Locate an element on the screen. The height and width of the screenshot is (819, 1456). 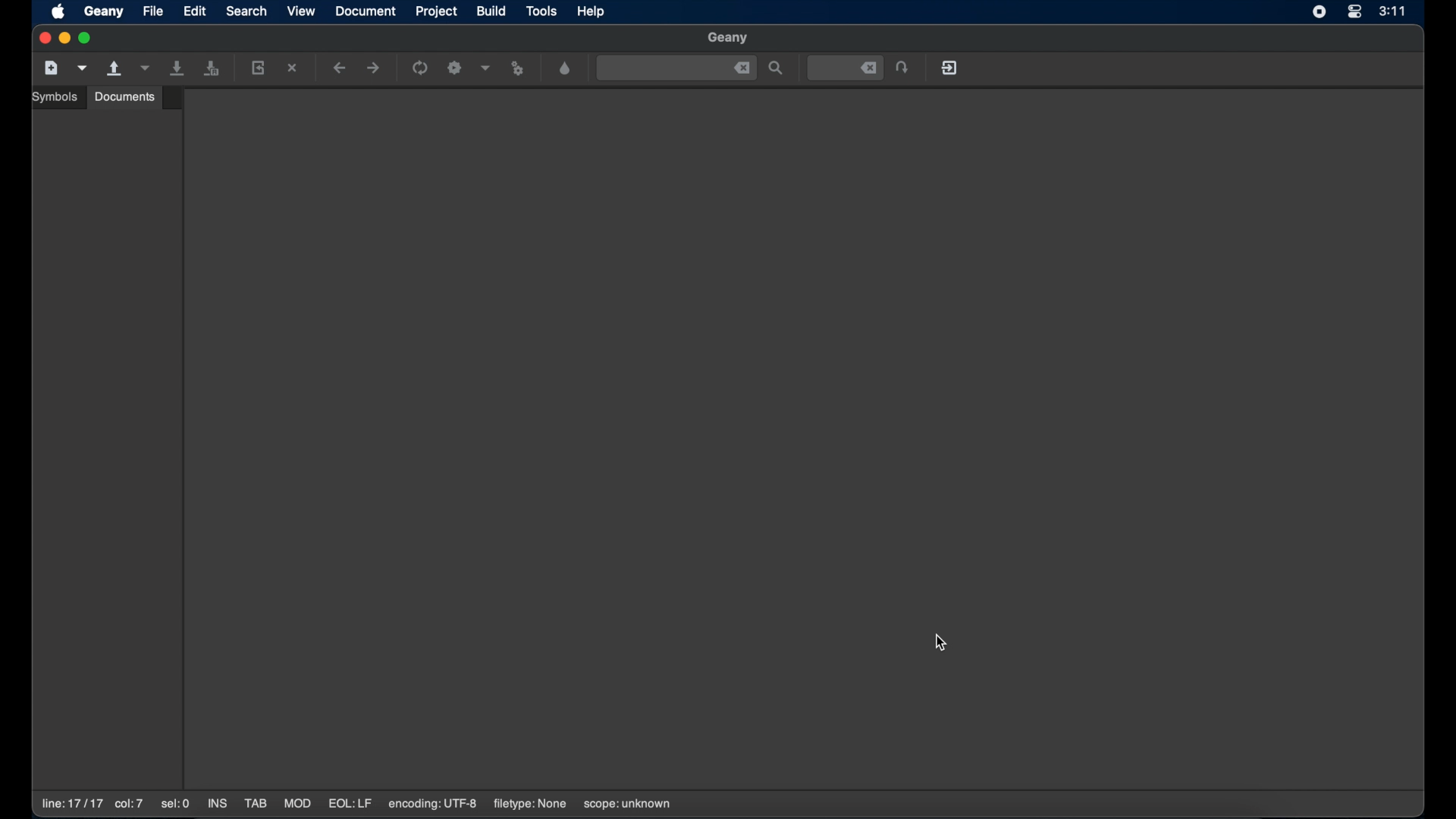
symbols is located at coordinates (57, 97).